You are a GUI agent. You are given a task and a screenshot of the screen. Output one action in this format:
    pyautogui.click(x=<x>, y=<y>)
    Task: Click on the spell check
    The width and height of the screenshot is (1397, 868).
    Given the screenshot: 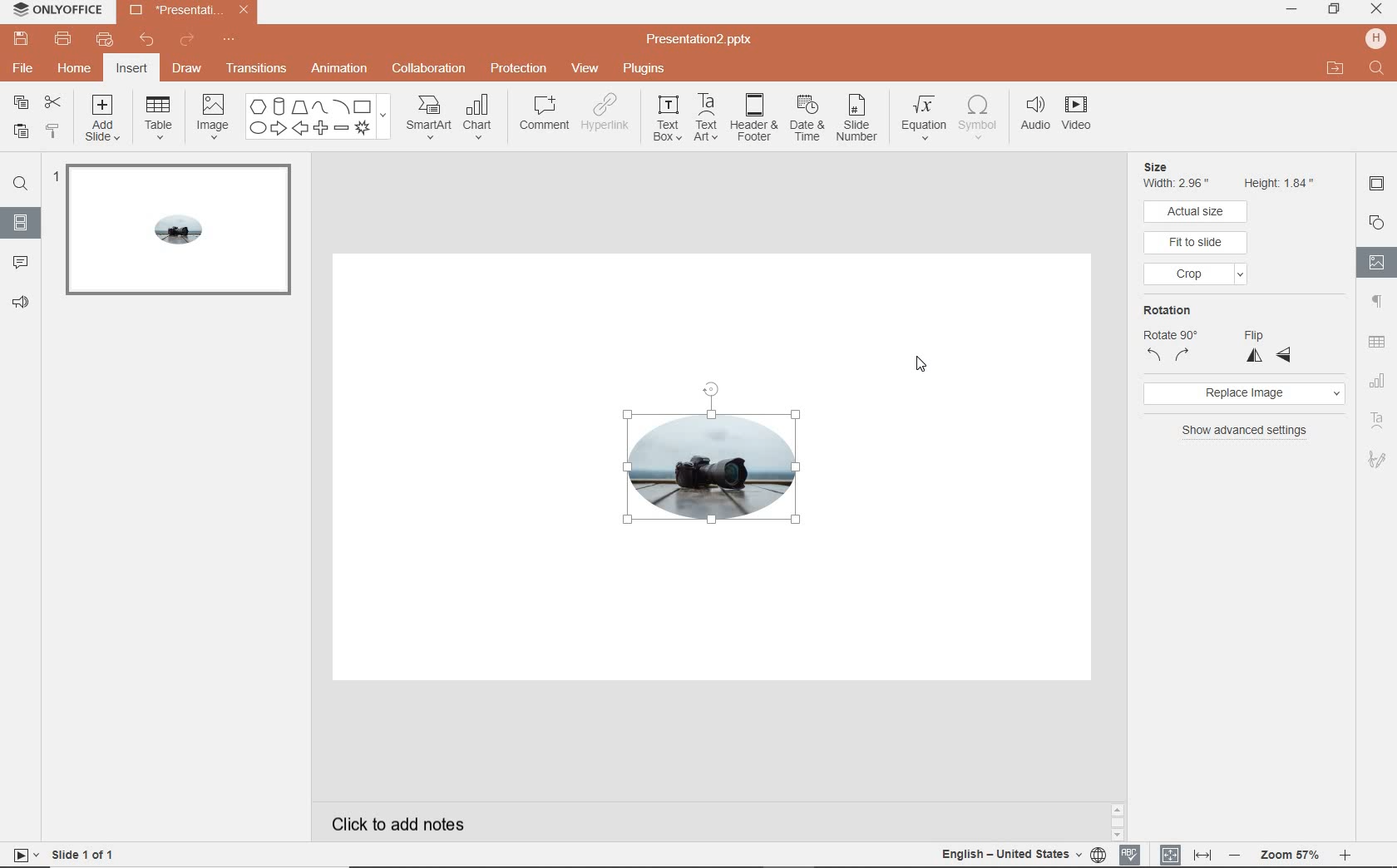 What is the action you would take?
    pyautogui.click(x=1132, y=855)
    